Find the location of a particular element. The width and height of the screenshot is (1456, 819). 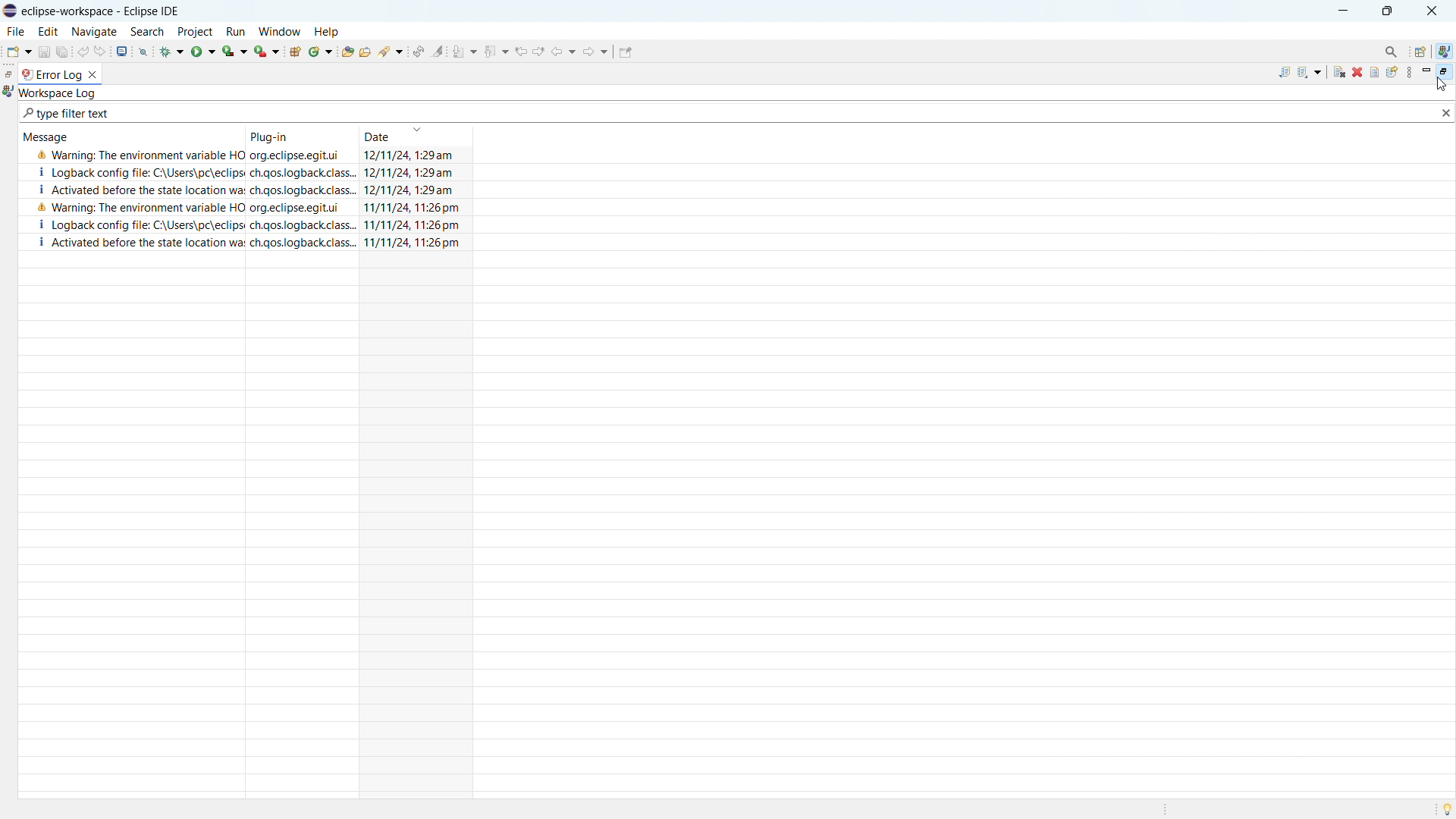

view menu is located at coordinates (1407, 73).